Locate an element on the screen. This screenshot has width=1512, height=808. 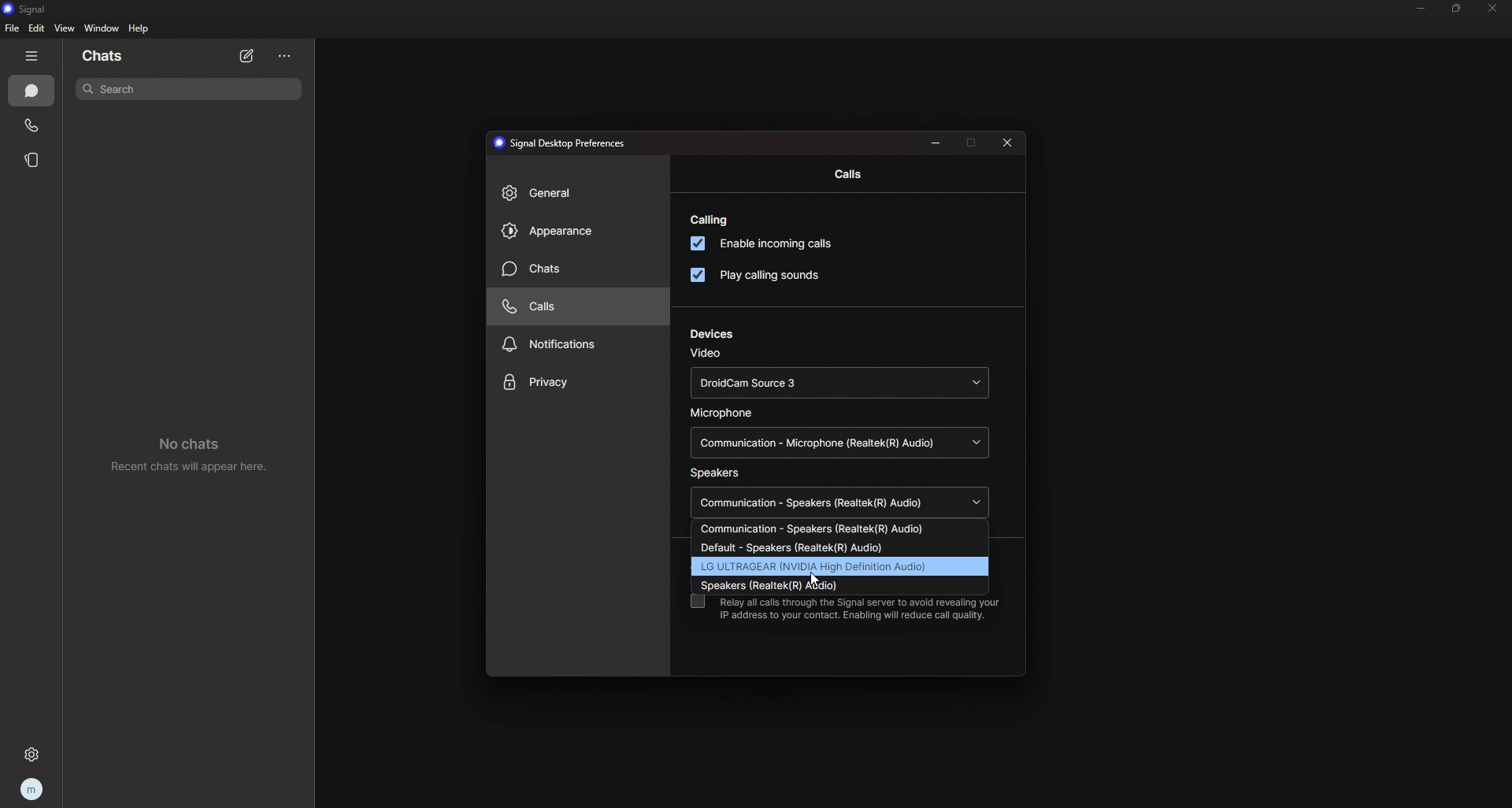
always relay calls toggle is located at coordinates (697, 602).